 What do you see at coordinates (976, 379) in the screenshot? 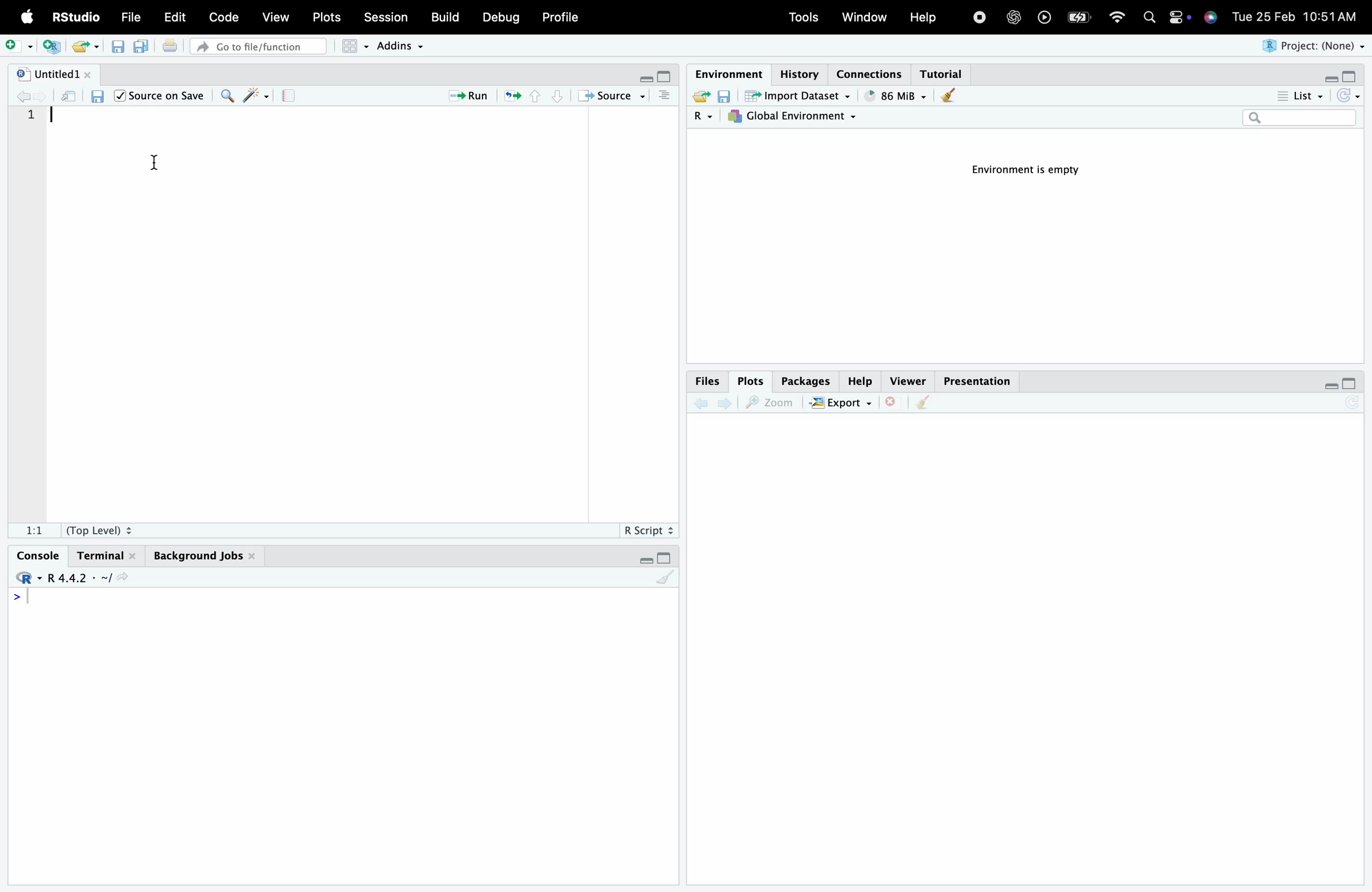
I see `Presentation` at bounding box center [976, 379].